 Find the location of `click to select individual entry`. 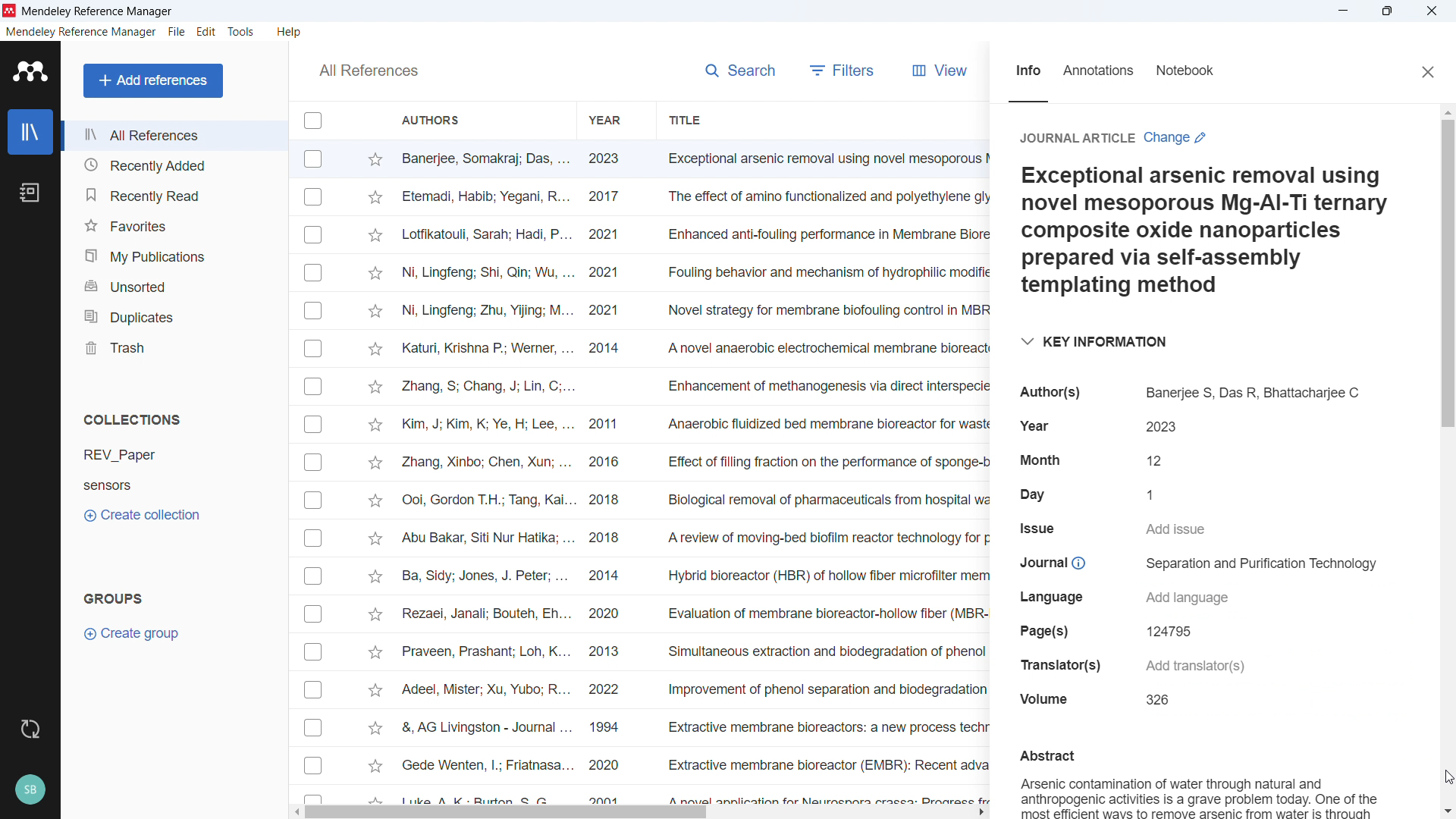

click to select individual entry is located at coordinates (315, 197).